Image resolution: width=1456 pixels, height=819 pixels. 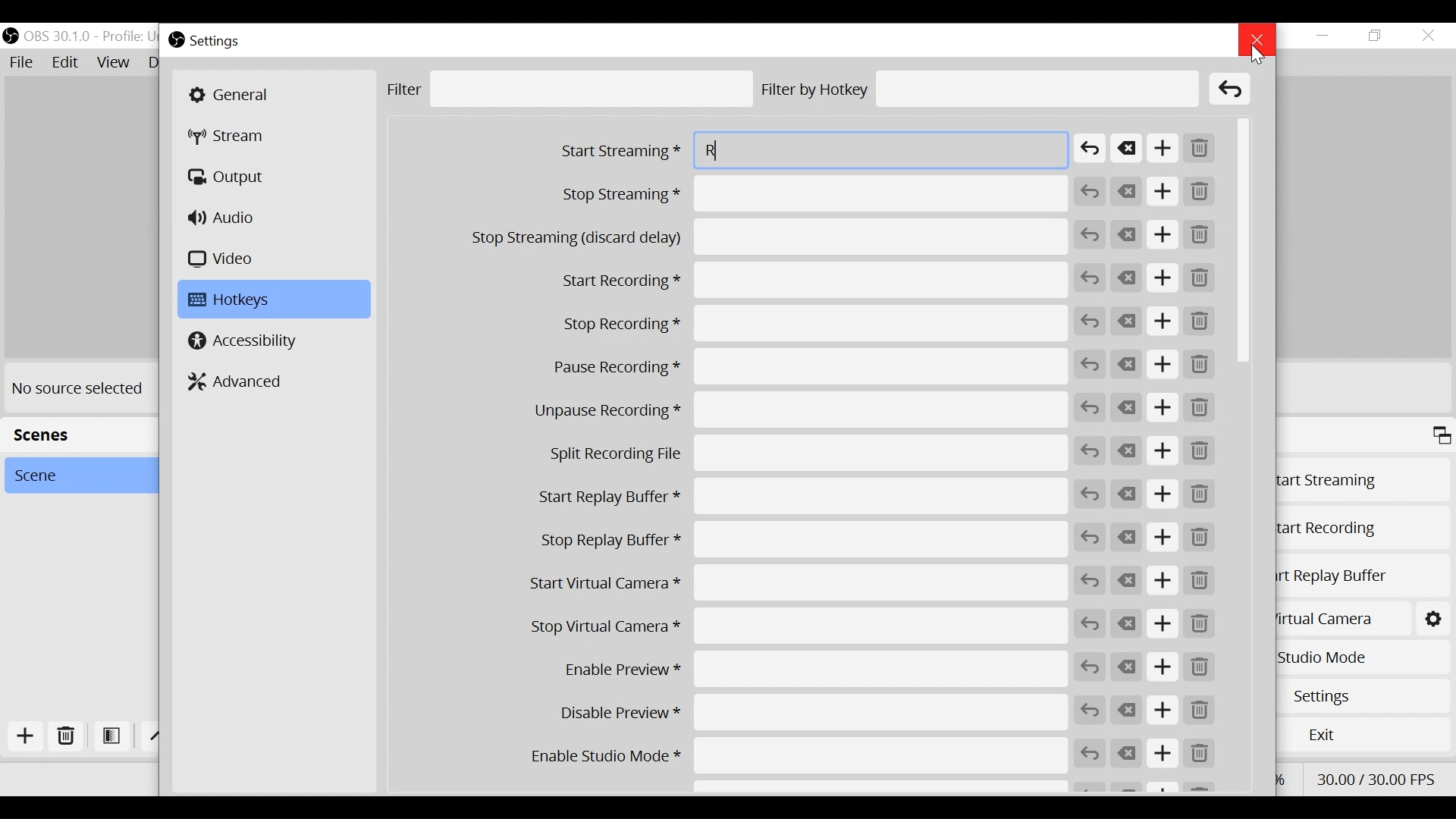 I want to click on Add, so click(x=1166, y=278).